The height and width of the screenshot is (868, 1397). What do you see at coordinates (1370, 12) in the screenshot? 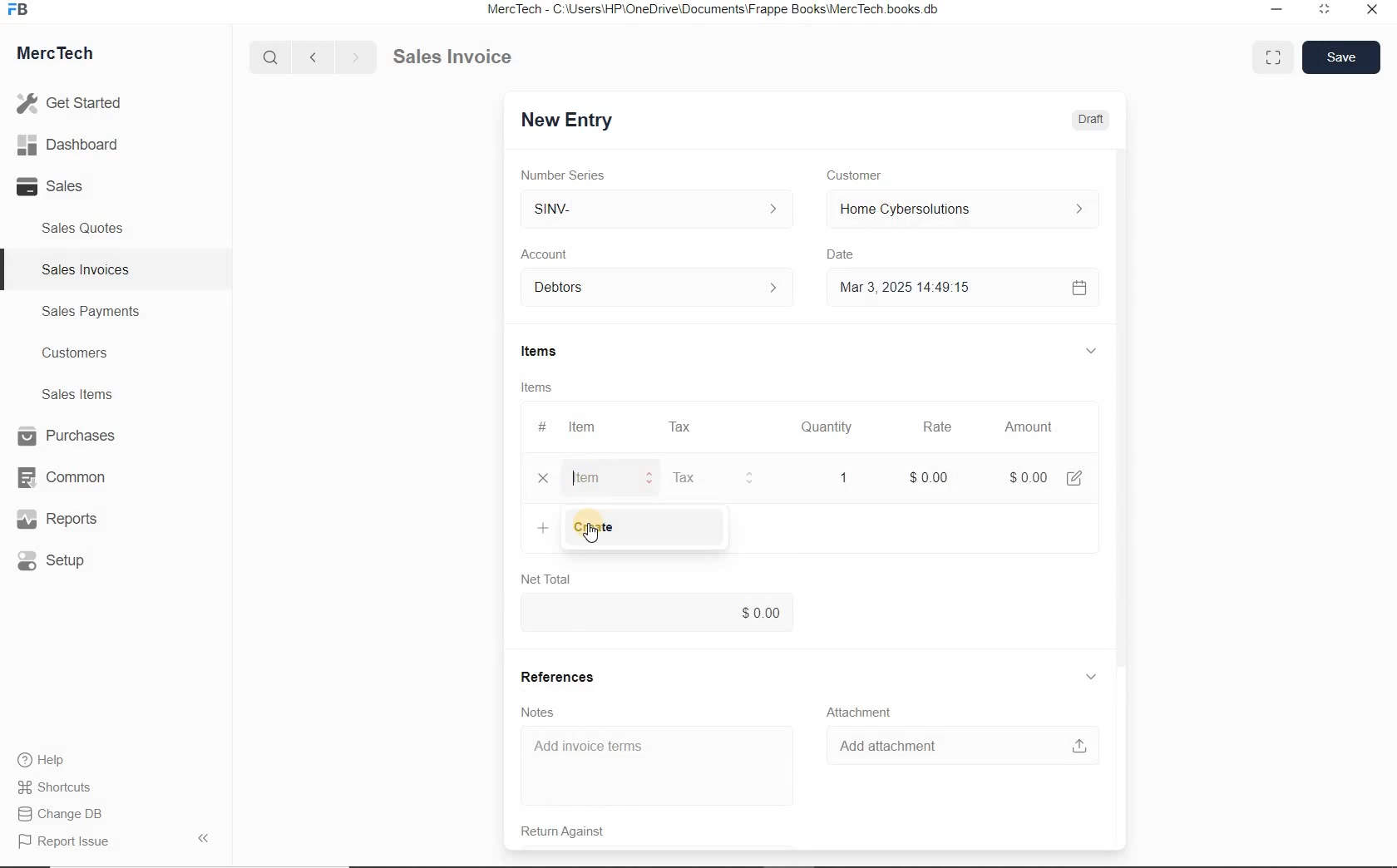
I see `Close` at bounding box center [1370, 12].